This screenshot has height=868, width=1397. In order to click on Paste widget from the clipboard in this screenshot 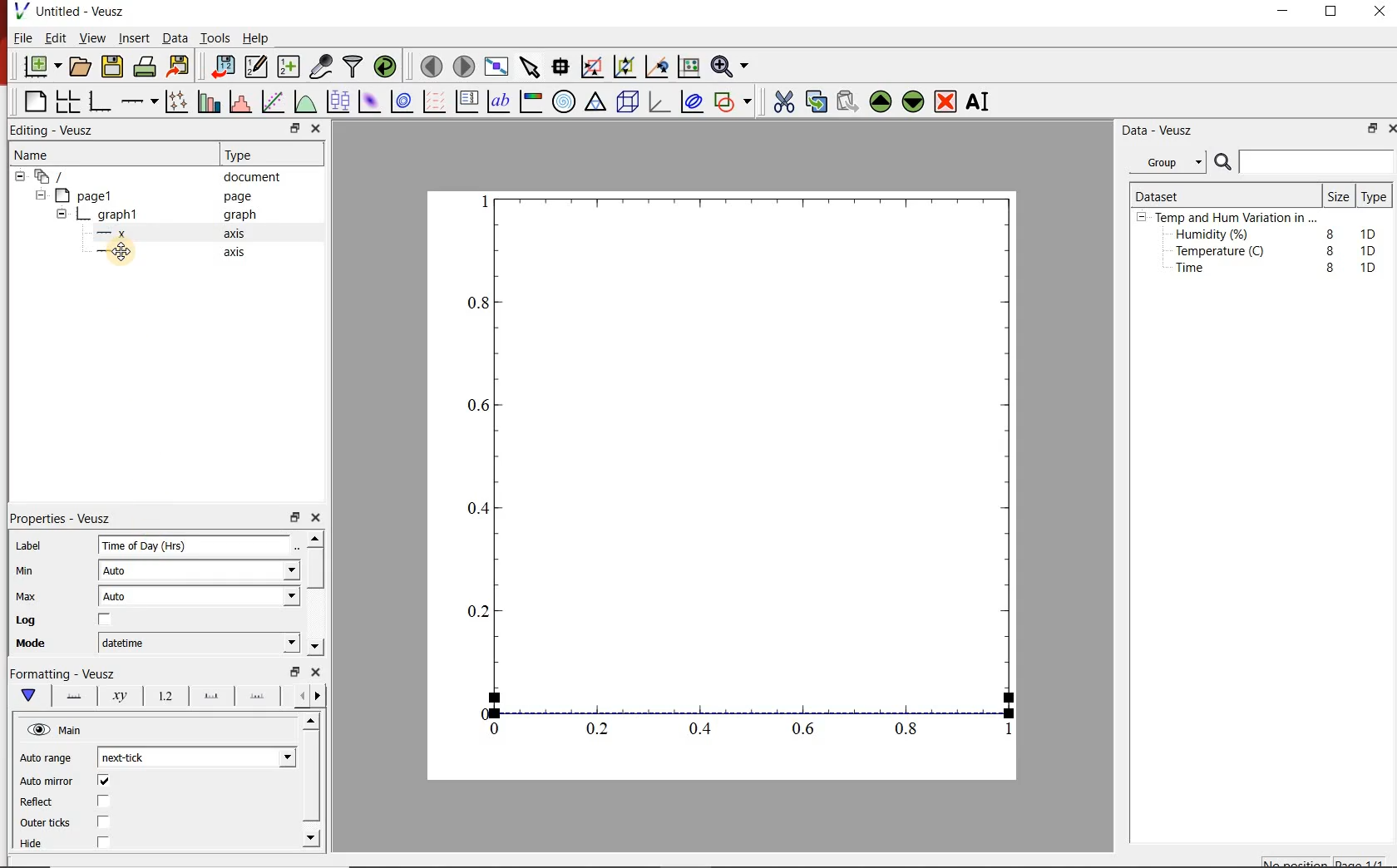, I will do `click(848, 101)`.